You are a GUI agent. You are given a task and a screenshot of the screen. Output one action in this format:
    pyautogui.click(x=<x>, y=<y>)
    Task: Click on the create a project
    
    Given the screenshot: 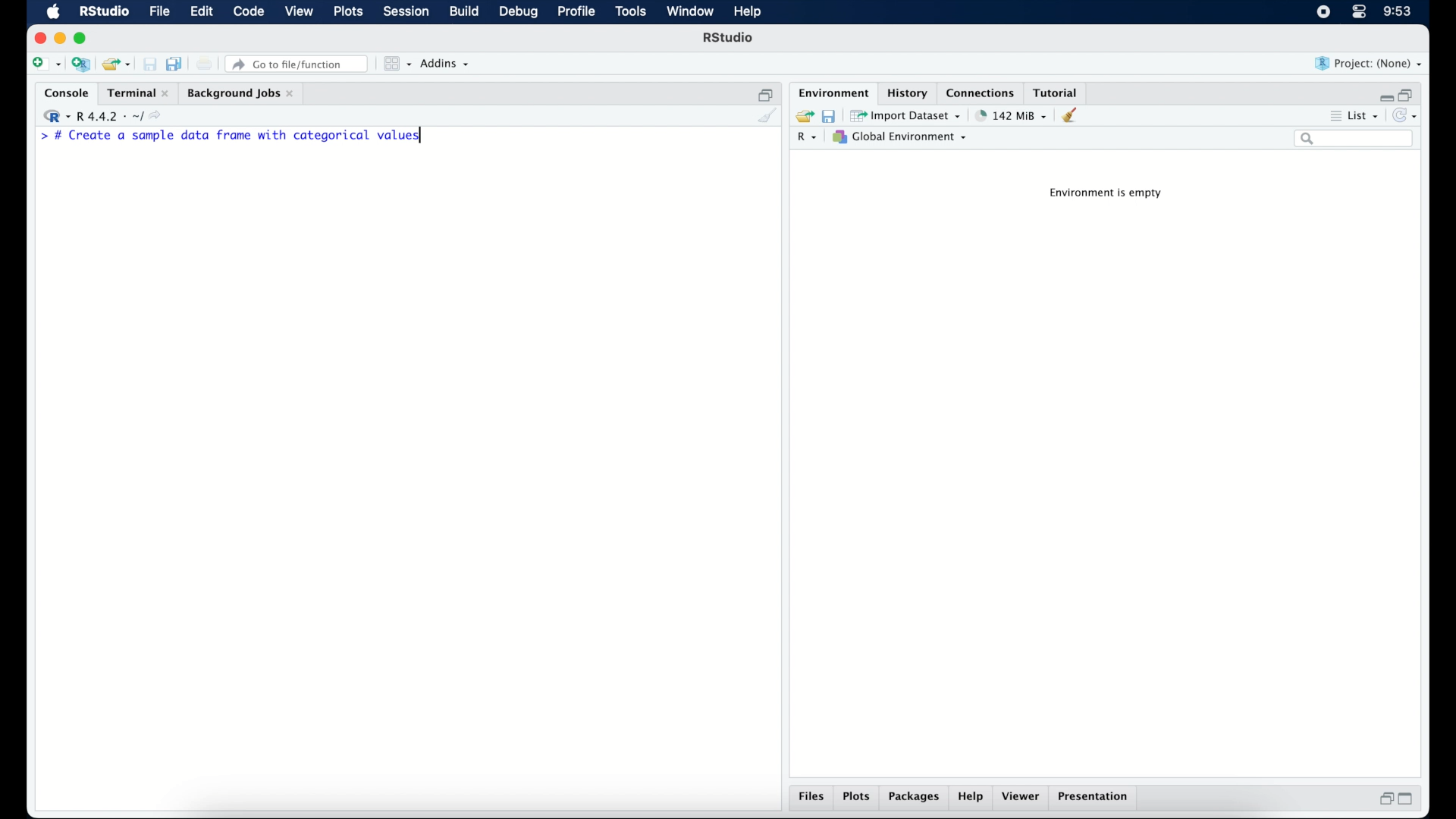 What is the action you would take?
    pyautogui.click(x=82, y=64)
    